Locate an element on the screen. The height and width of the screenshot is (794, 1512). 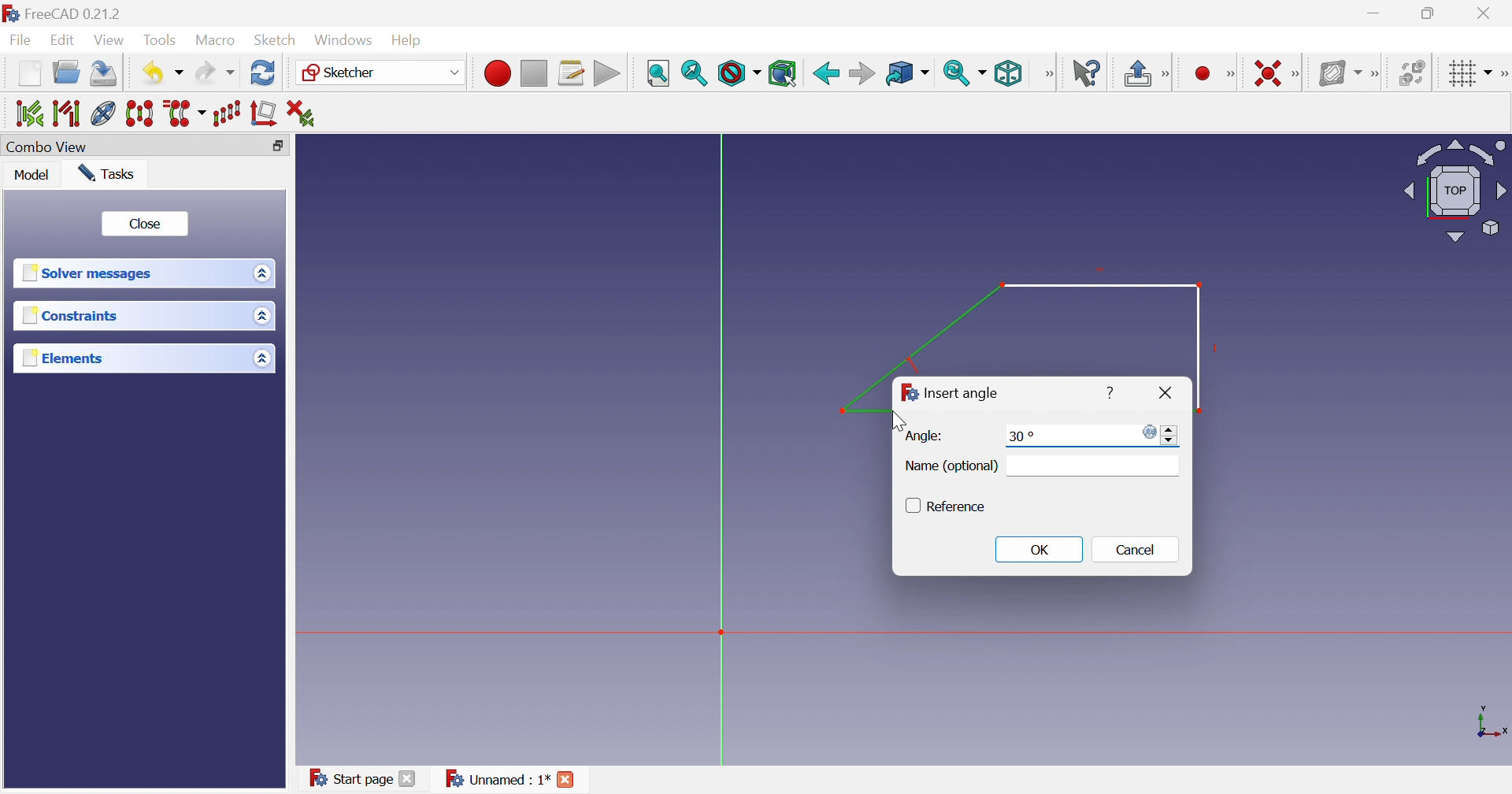
Close is located at coordinates (409, 781).